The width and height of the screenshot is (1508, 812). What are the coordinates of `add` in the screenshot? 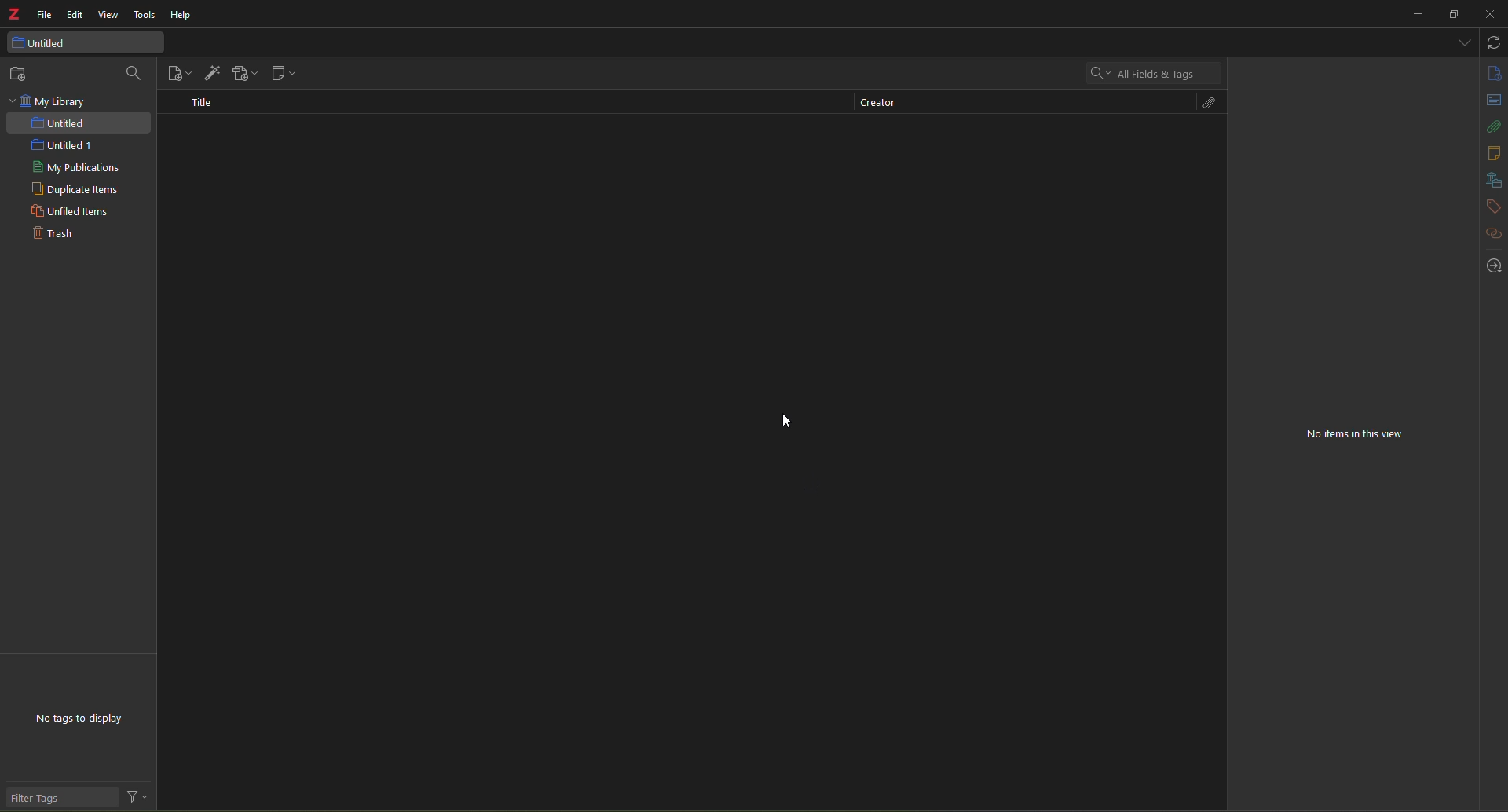 It's located at (1268, 155).